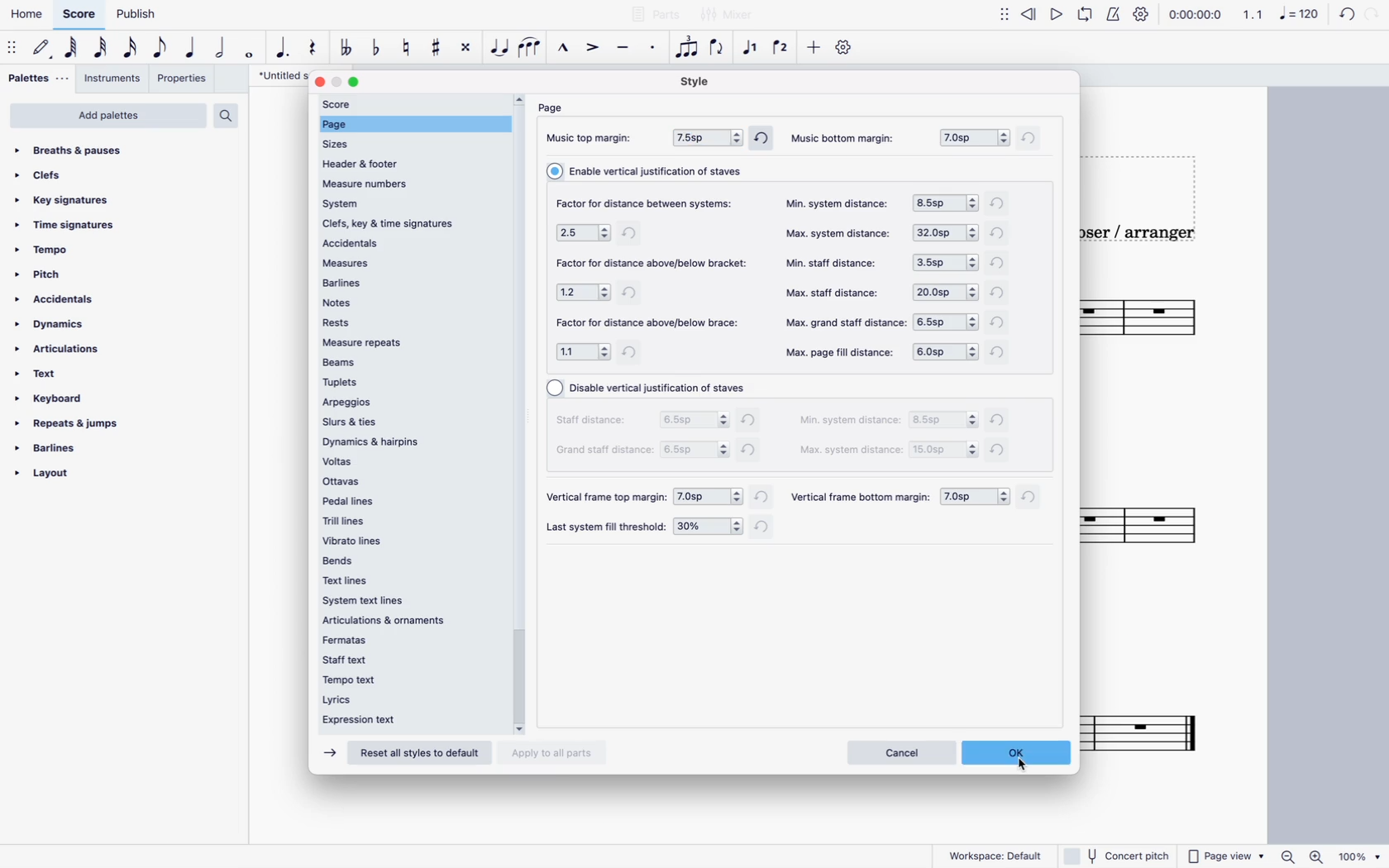 This screenshot has width=1389, height=868. I want to click on clefs, key & time signatures, so click(411, 224).